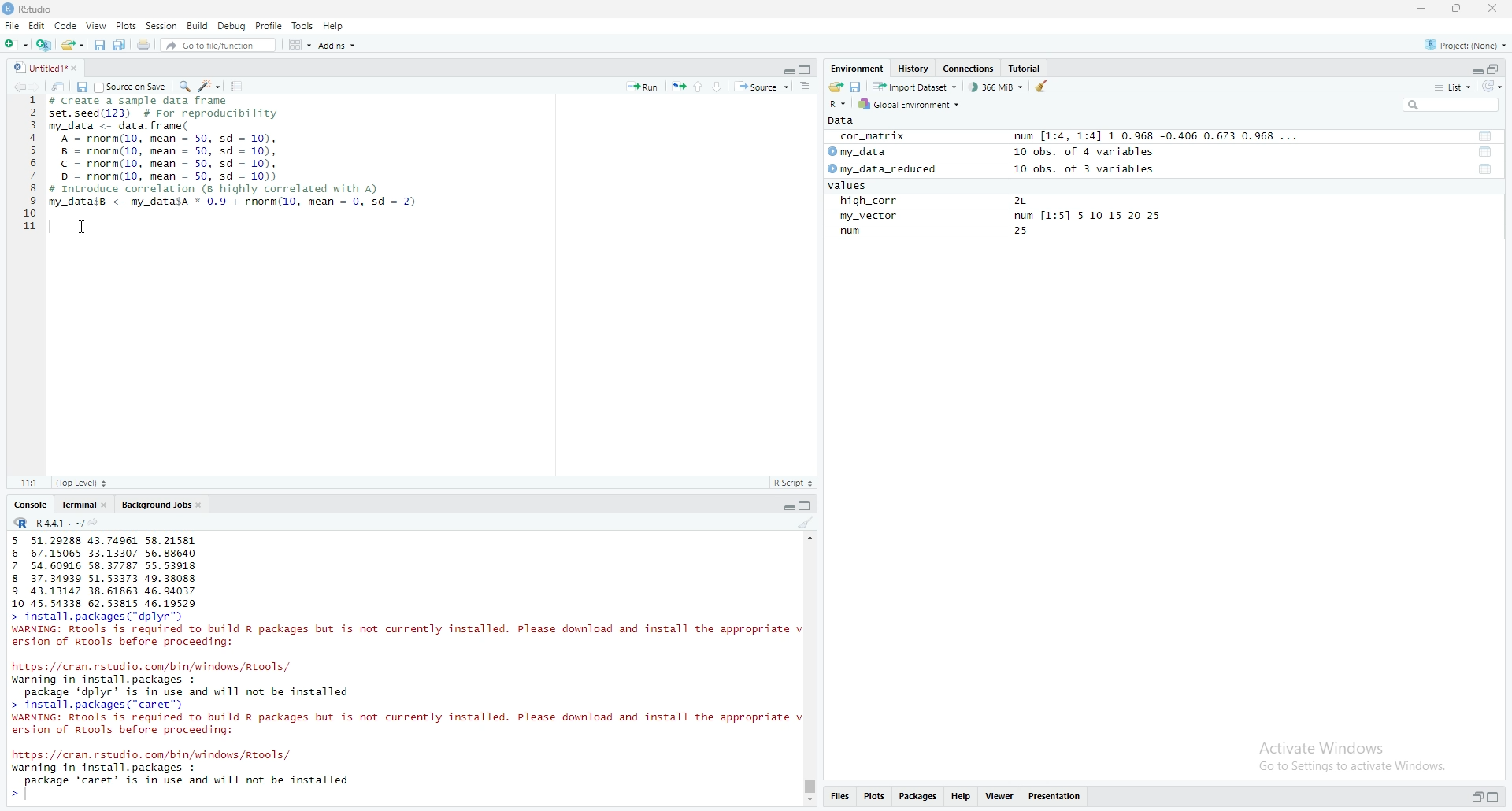  Describe the element at coordinates (1492, 87) in the screenshot. I see `reload` at that location.